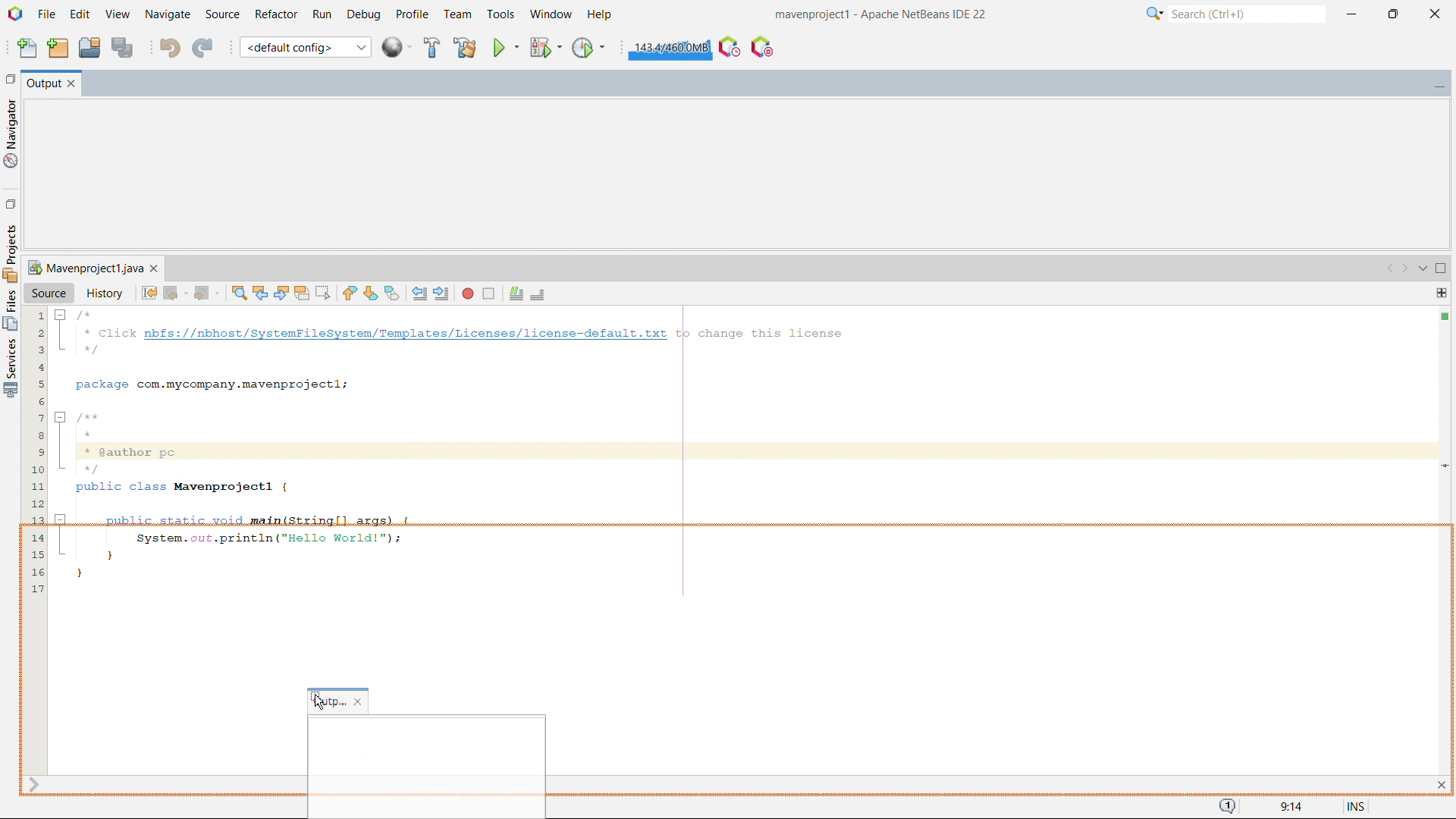  Describe the element at coordinates (149, 292) in the screenshot. I see `last edit` at that location.